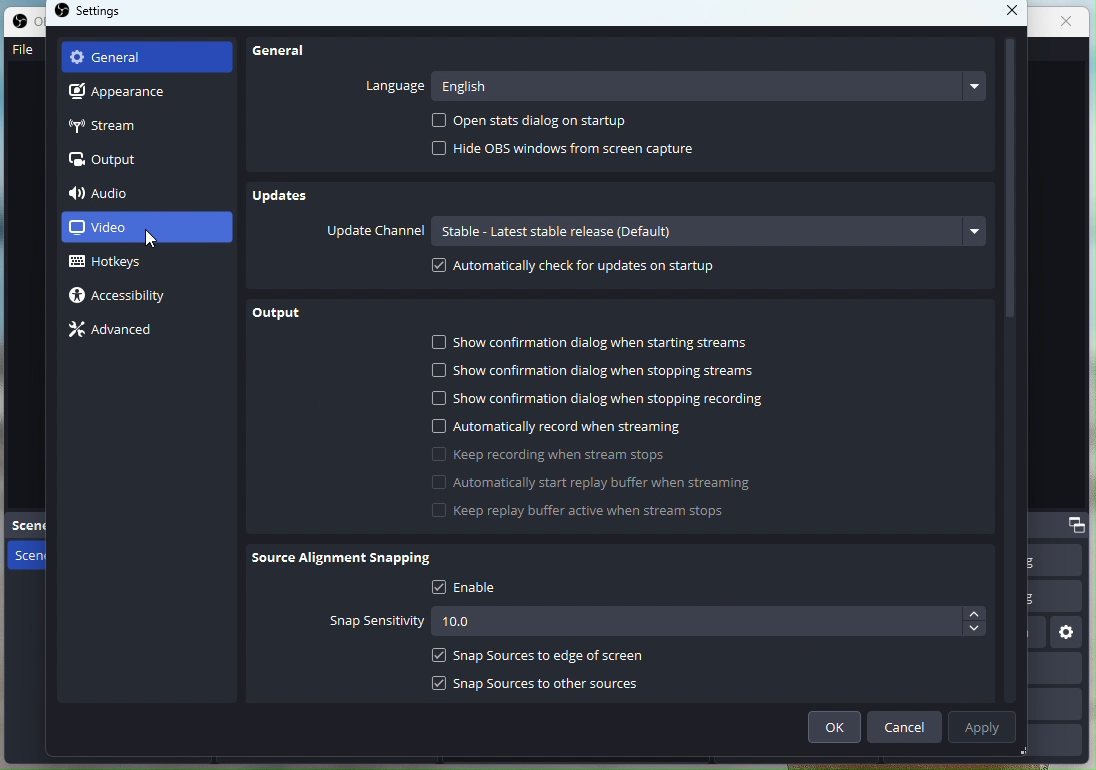 The width and height of the screenshot is (1096, 770). What do you see at coordinates (560, 427) in the screenshot?
I see `Automatically record when streaming` at bounding box center [560, 427].